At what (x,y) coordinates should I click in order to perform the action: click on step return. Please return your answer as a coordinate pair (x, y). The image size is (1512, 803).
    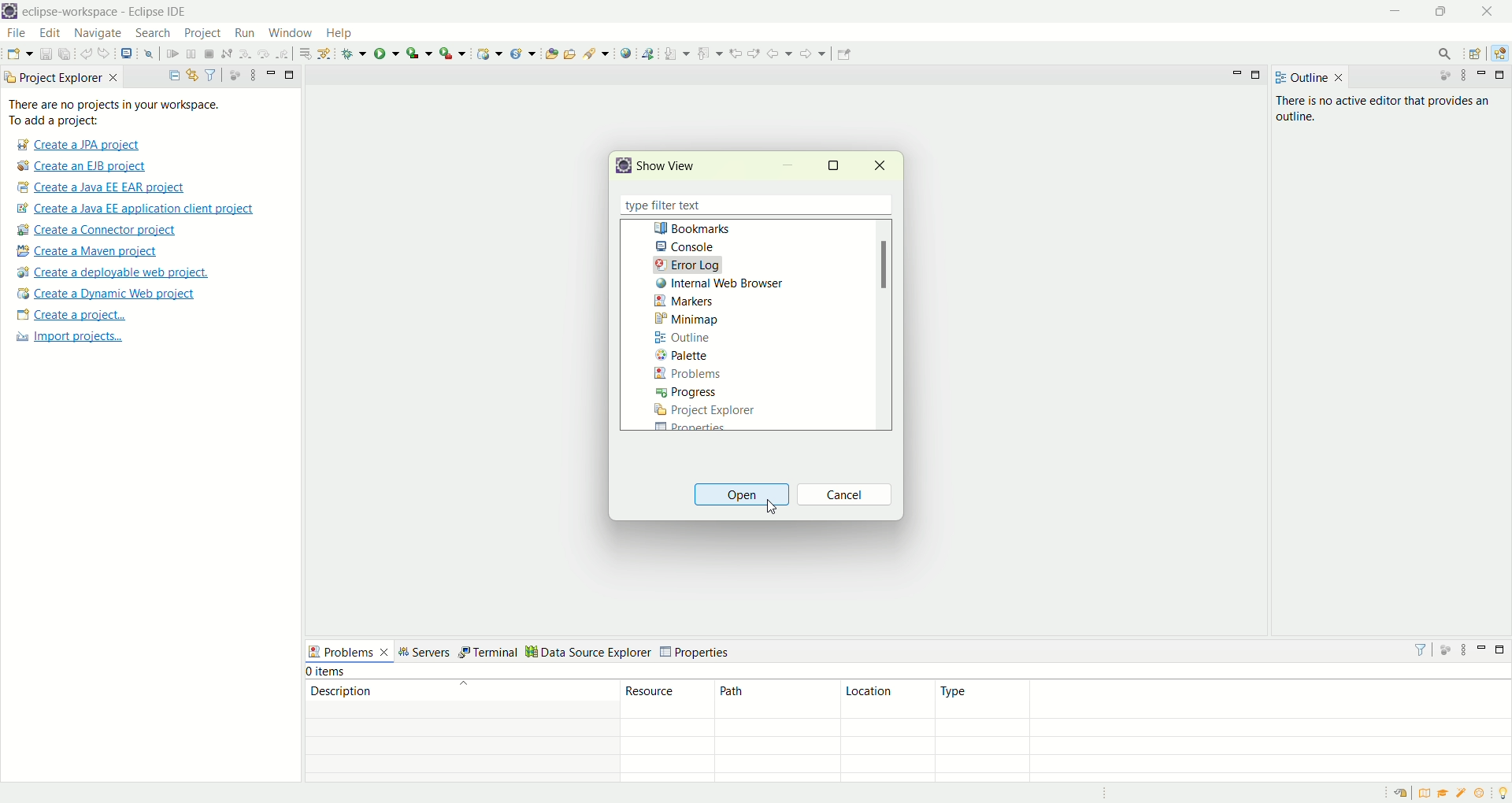
    Looking at the image, I should click on (283, 54).